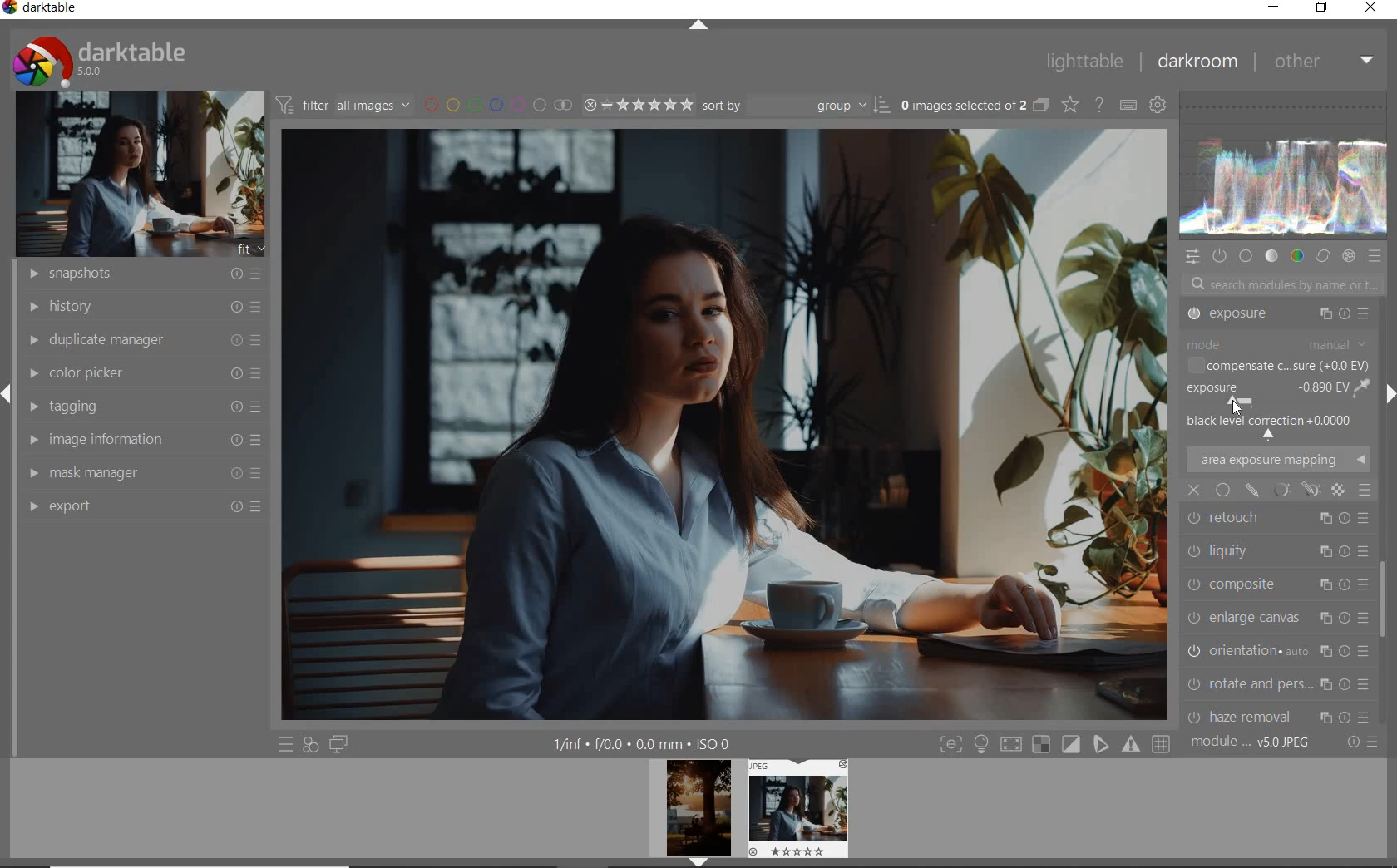  Describe the element at coordinates (1285, 165) in the screenshot. I see `WAVEFORM` at that location.